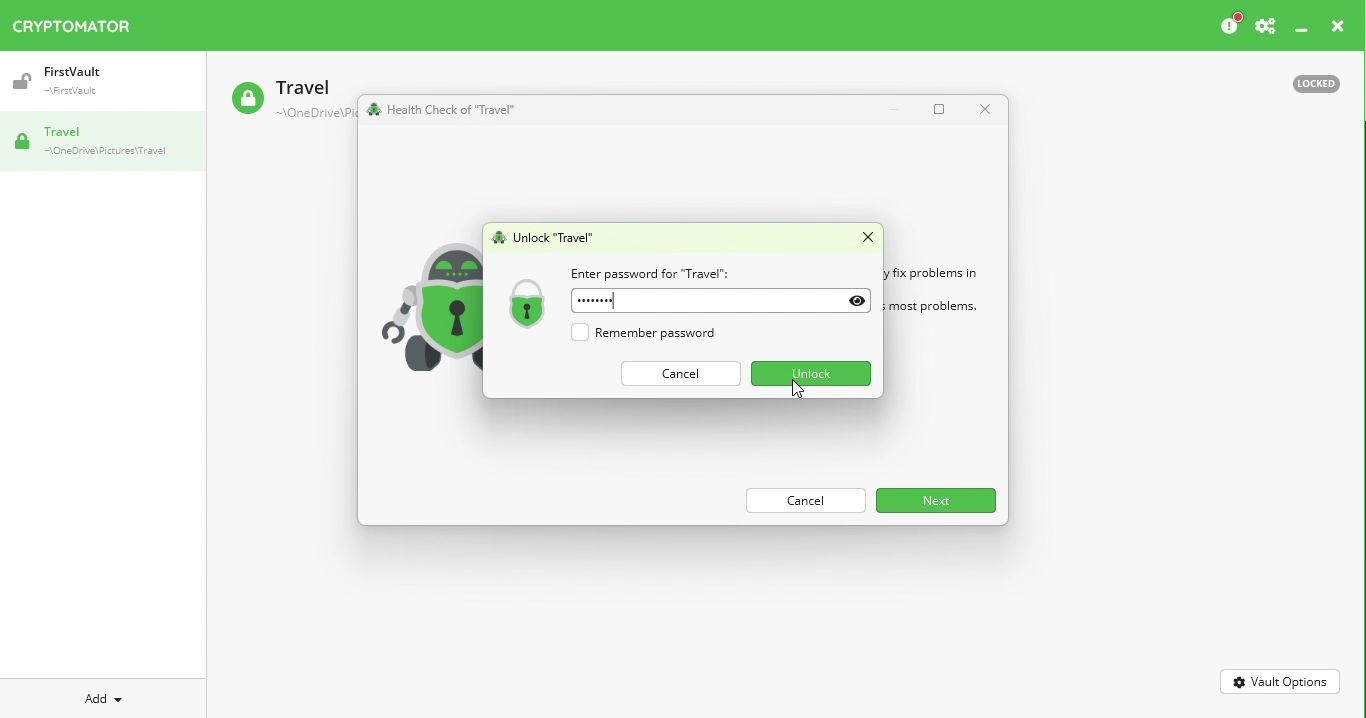 Image resolution: width=1366 pixels, height=718 pixels. What do you see at coordinates (859, 238) in the screenshot?
I see `Close` at bounding box center [859, 238].